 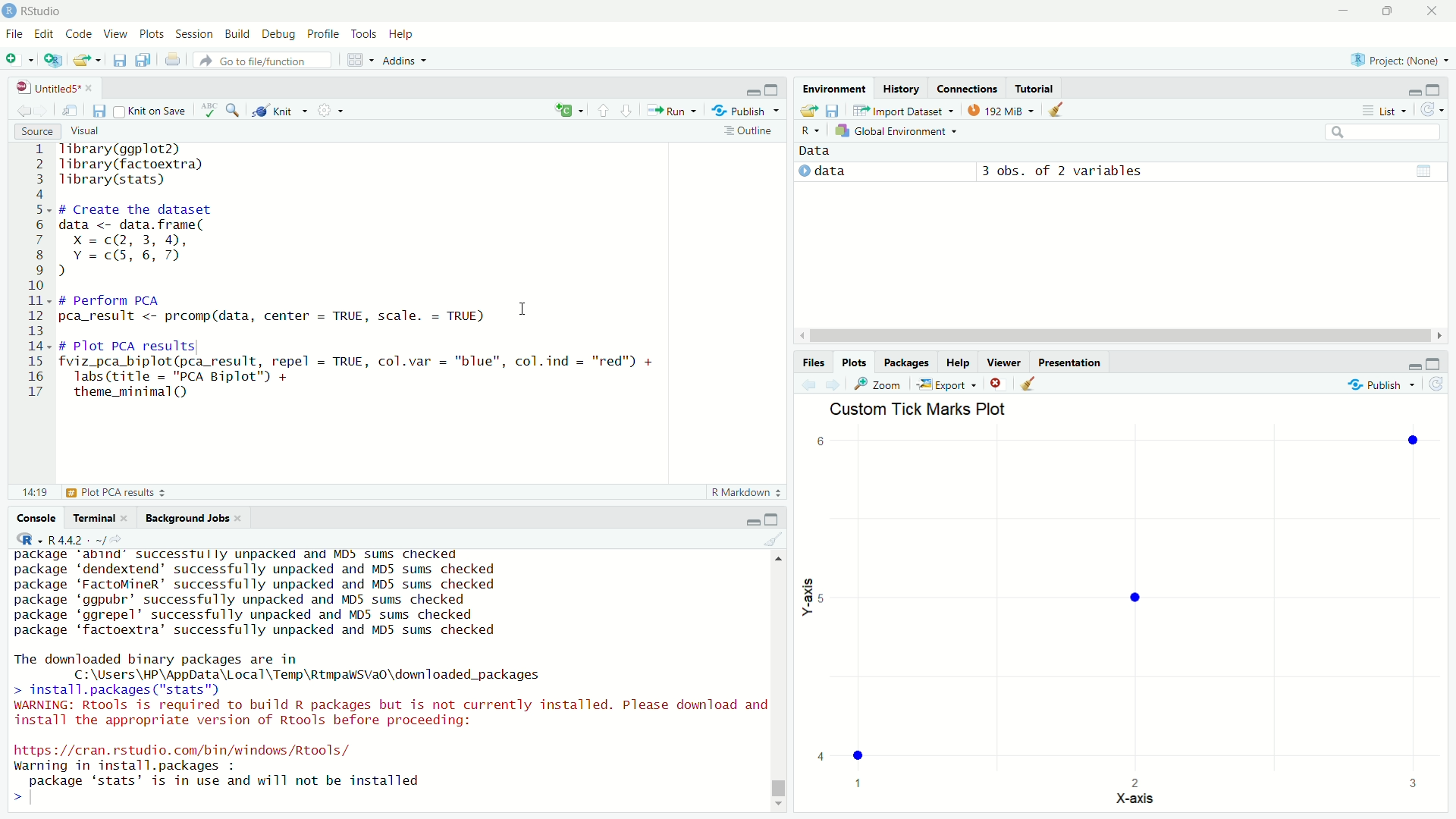 I want to click on list view, so click(x=1384, y=110).